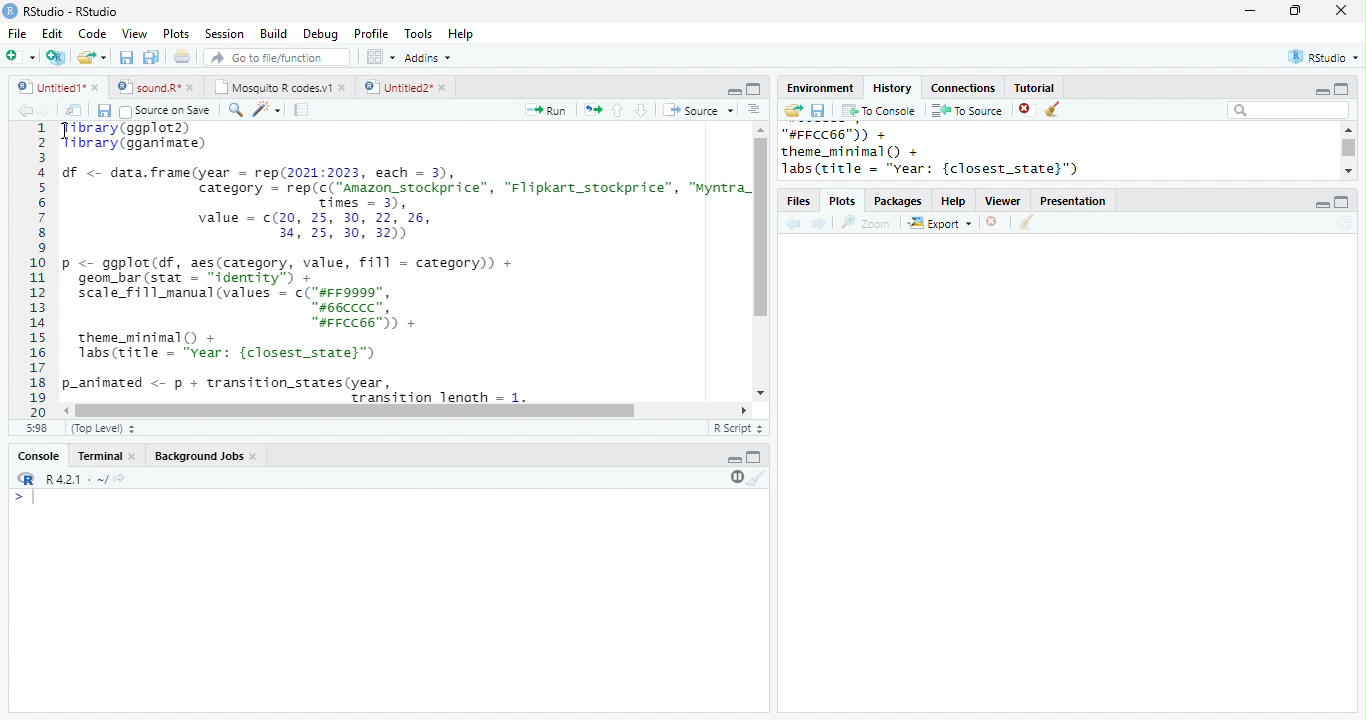  What do you see at coordinates (406, 186) in the screenshot?
I see `df <- data.frame(year = rep(2021:2023, each = 3),
category = rep(c("Amazon_stockprice”, "Flipkart_stockprice”, “Myntra_
Times = 3).` at bounding box center [406, 186].